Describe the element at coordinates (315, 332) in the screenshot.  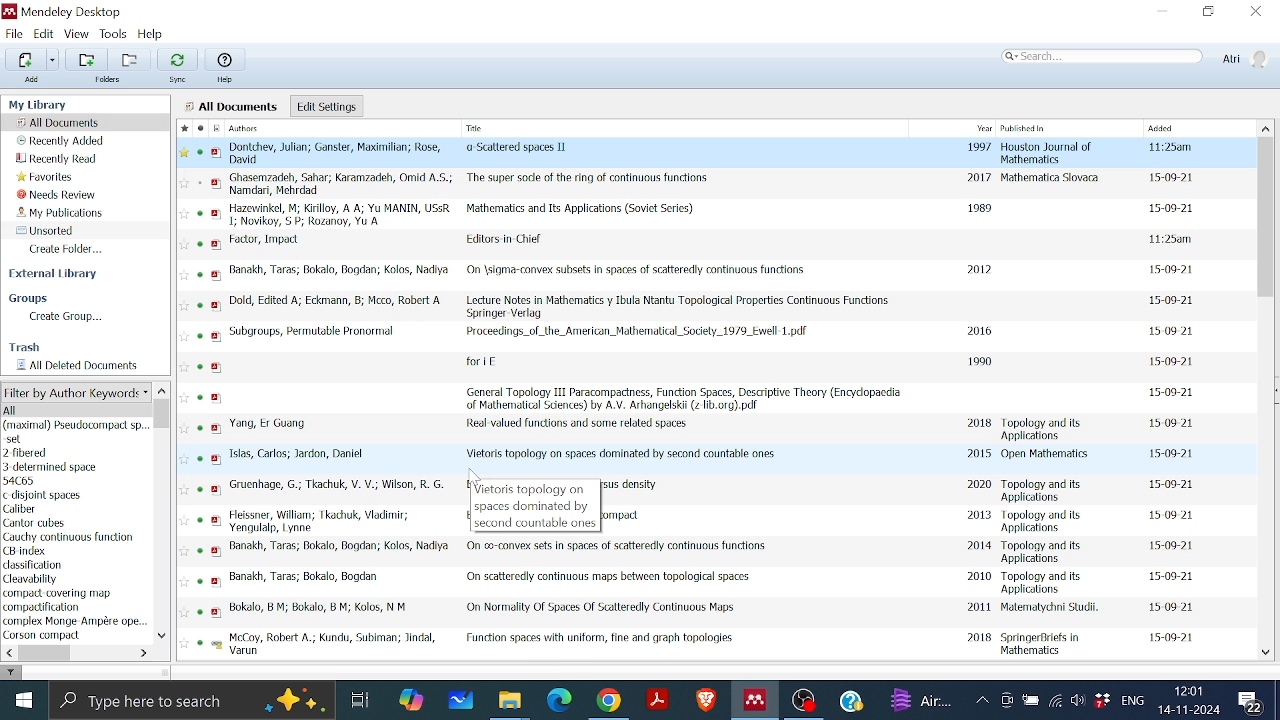
I see `Autho` at that location.